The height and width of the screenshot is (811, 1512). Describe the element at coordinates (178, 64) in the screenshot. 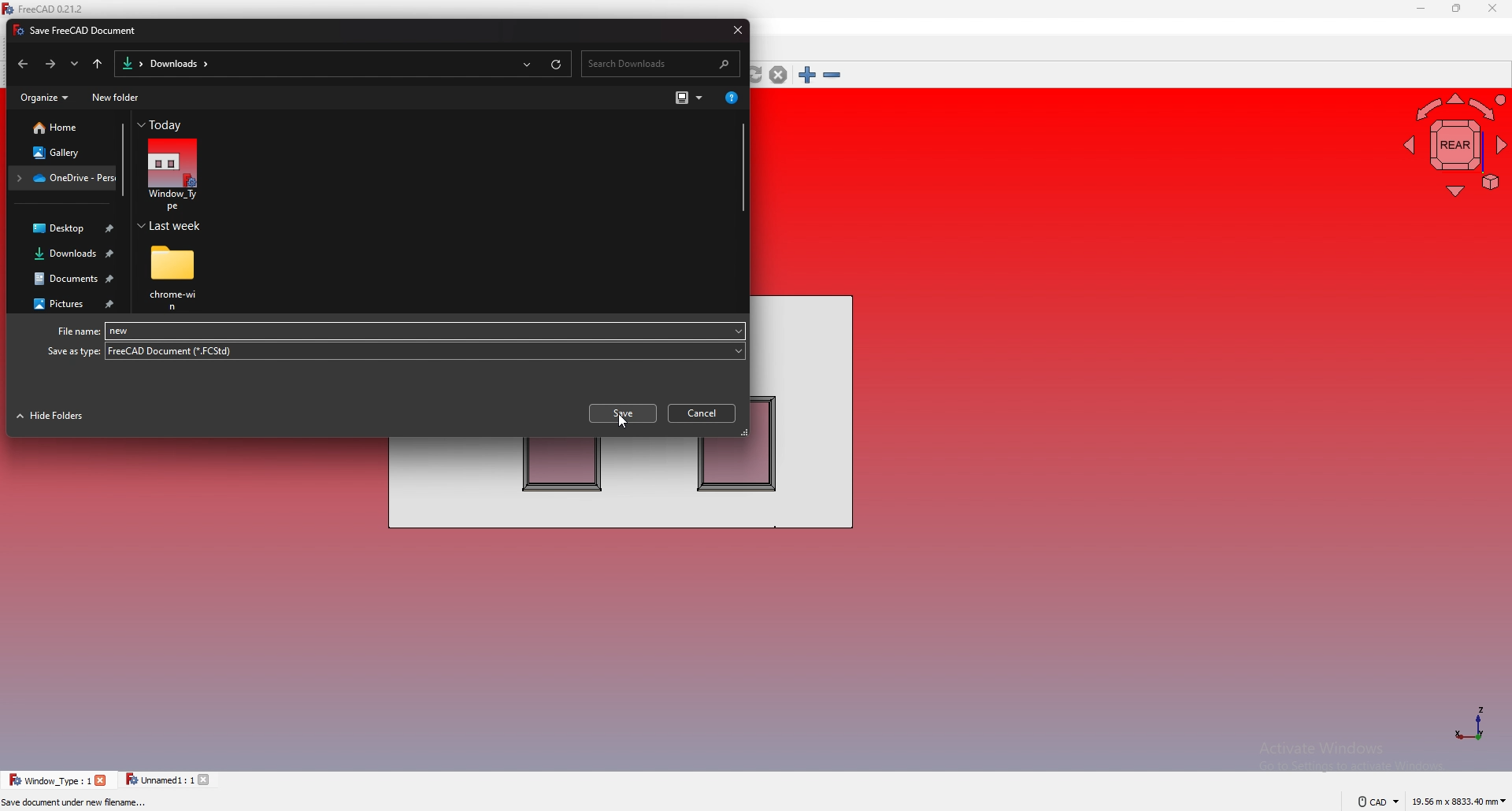

I see `Downloads` at that location.